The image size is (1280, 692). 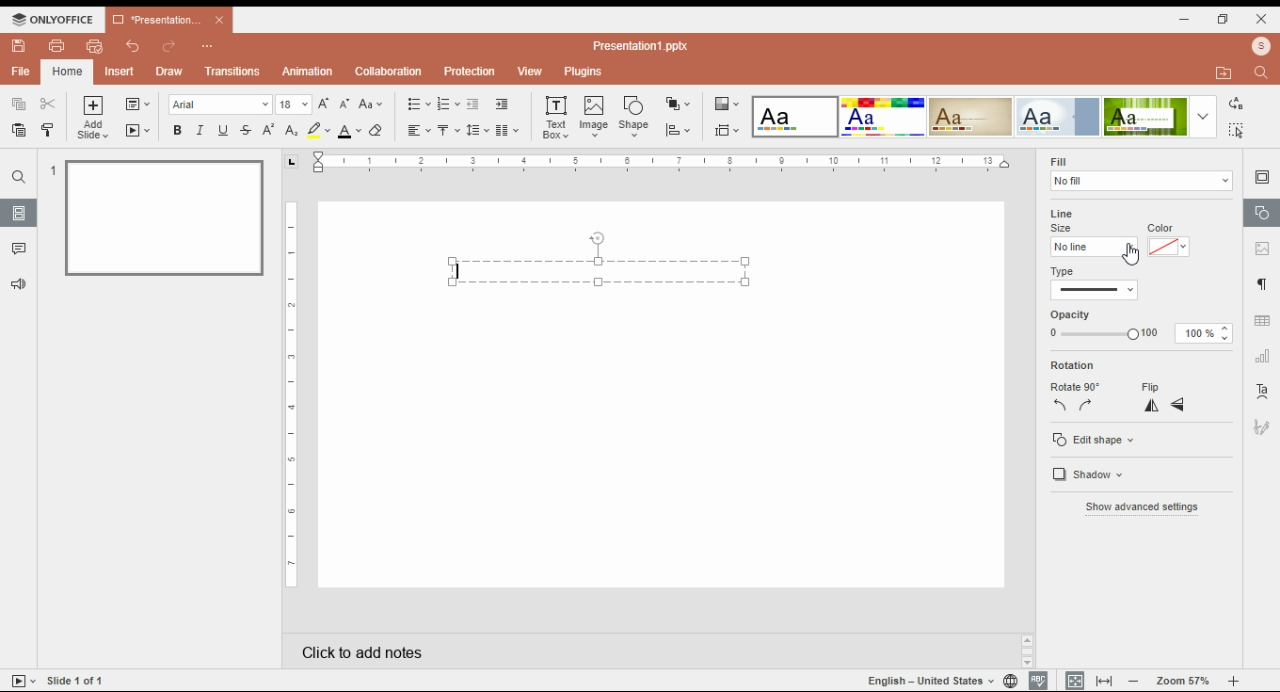 What do you see at coordinates (1009, 681) in the screenshot?
I see `language settings` at bounding box center [1009, 681].